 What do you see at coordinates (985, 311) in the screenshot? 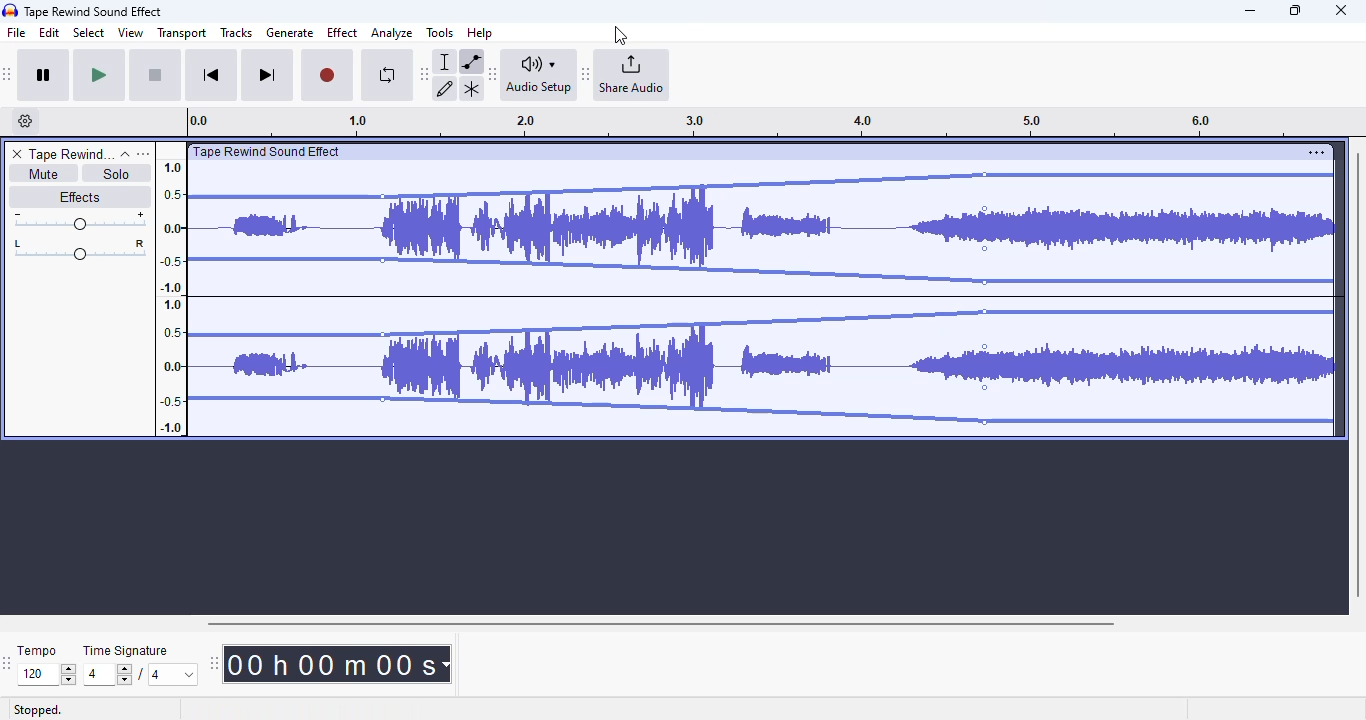
I see `Control point` at bounding box center [985, 311].